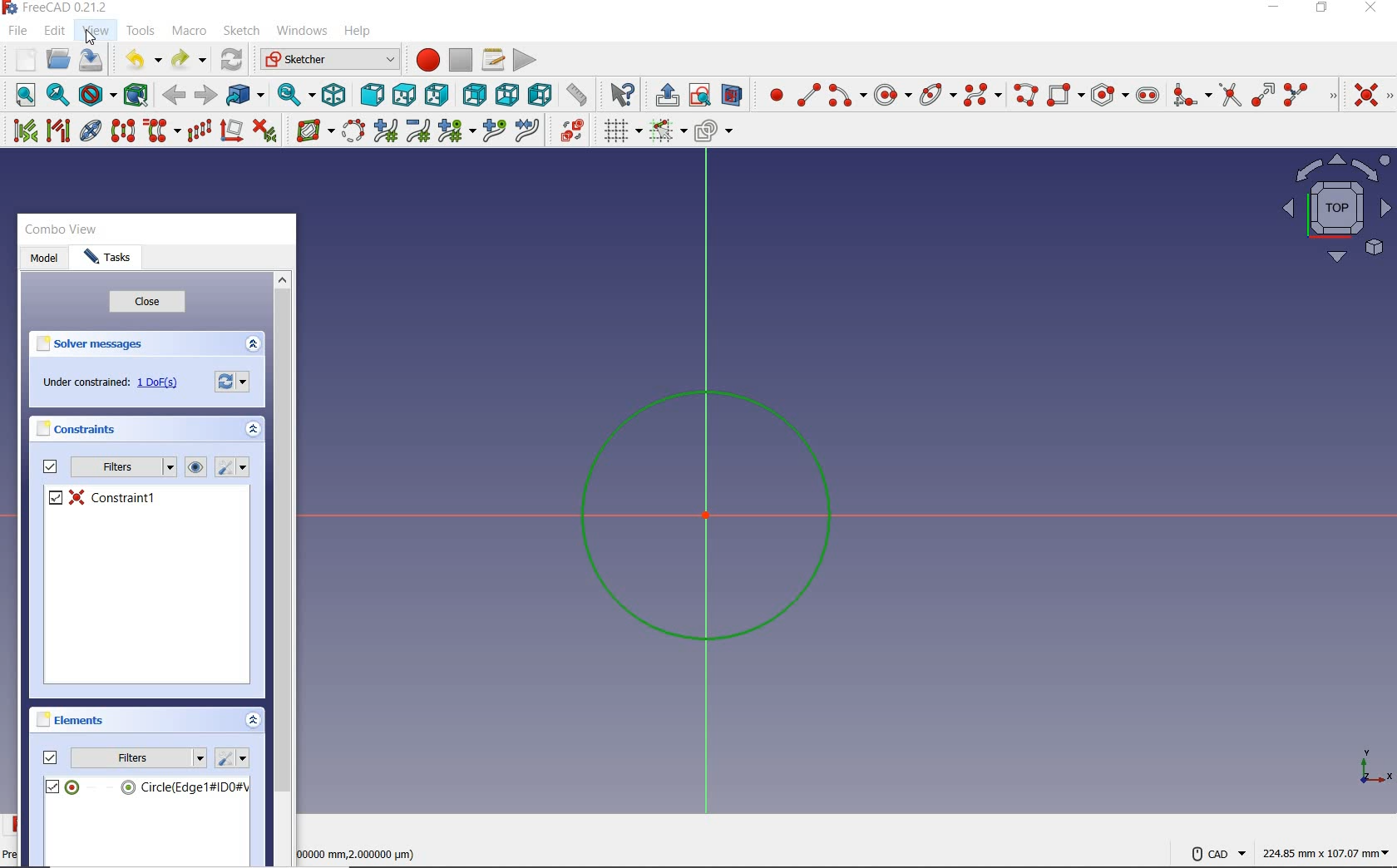 Image resolution: width=1397 pixels, height=868 pixels. I want to click on view, so click(195, 467).